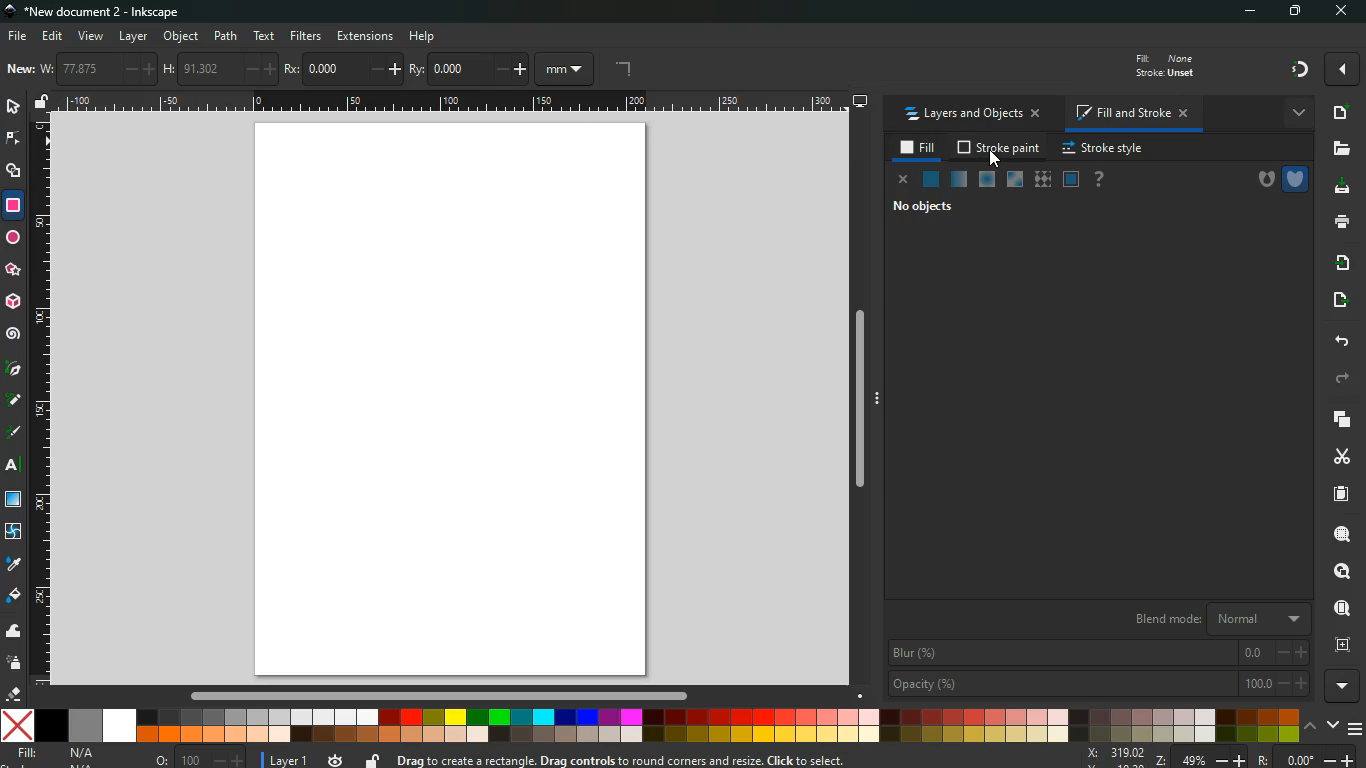 The width and height of the screenshot is (1366, 768). I want to click on menu, so click(1356, 729).